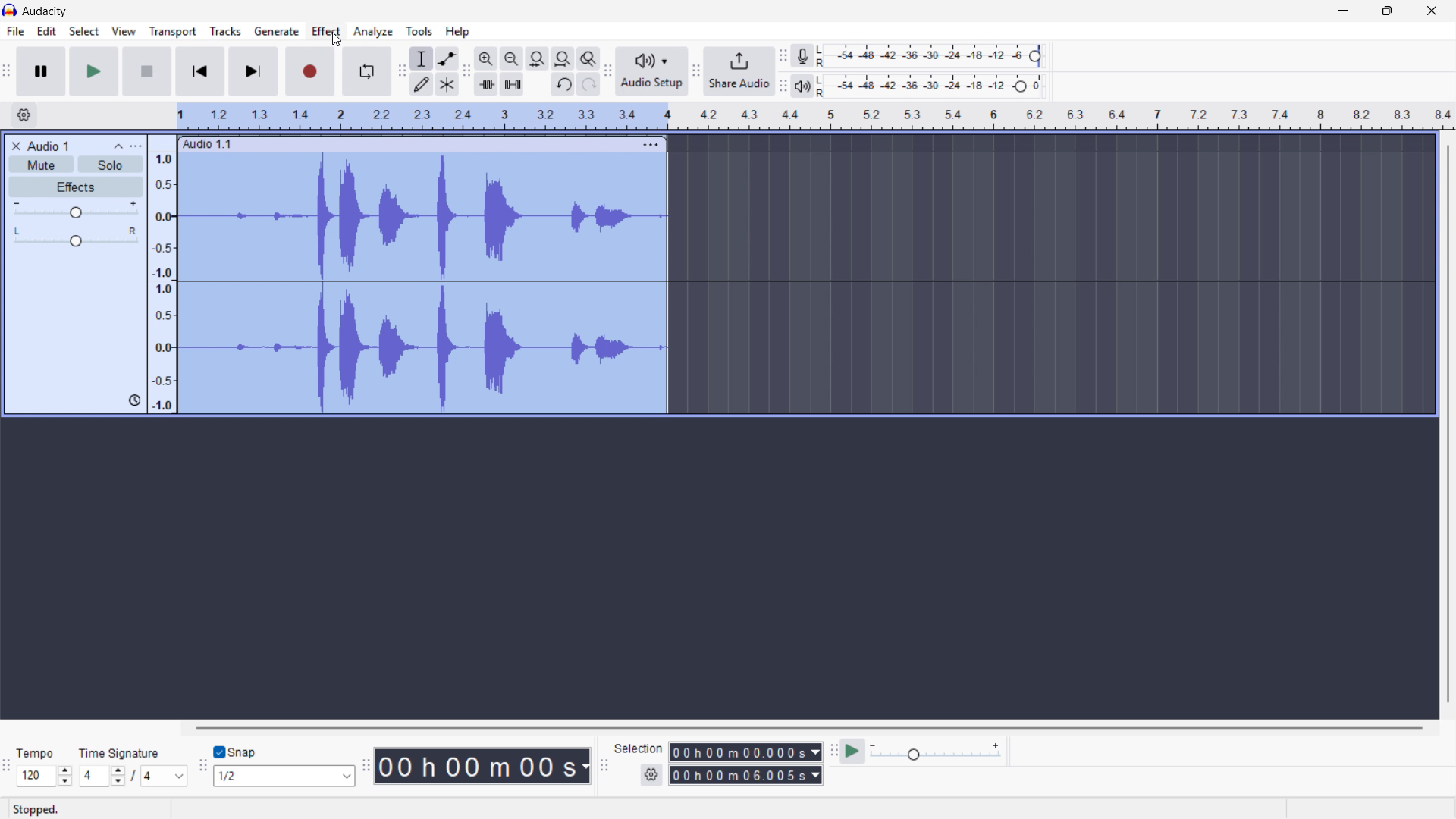 Image resolution: width=1456 pixels, height=819 pixels. Describe the element at coordinates (254, 71) in the screenshot. I see `Skip to end ` at that location.